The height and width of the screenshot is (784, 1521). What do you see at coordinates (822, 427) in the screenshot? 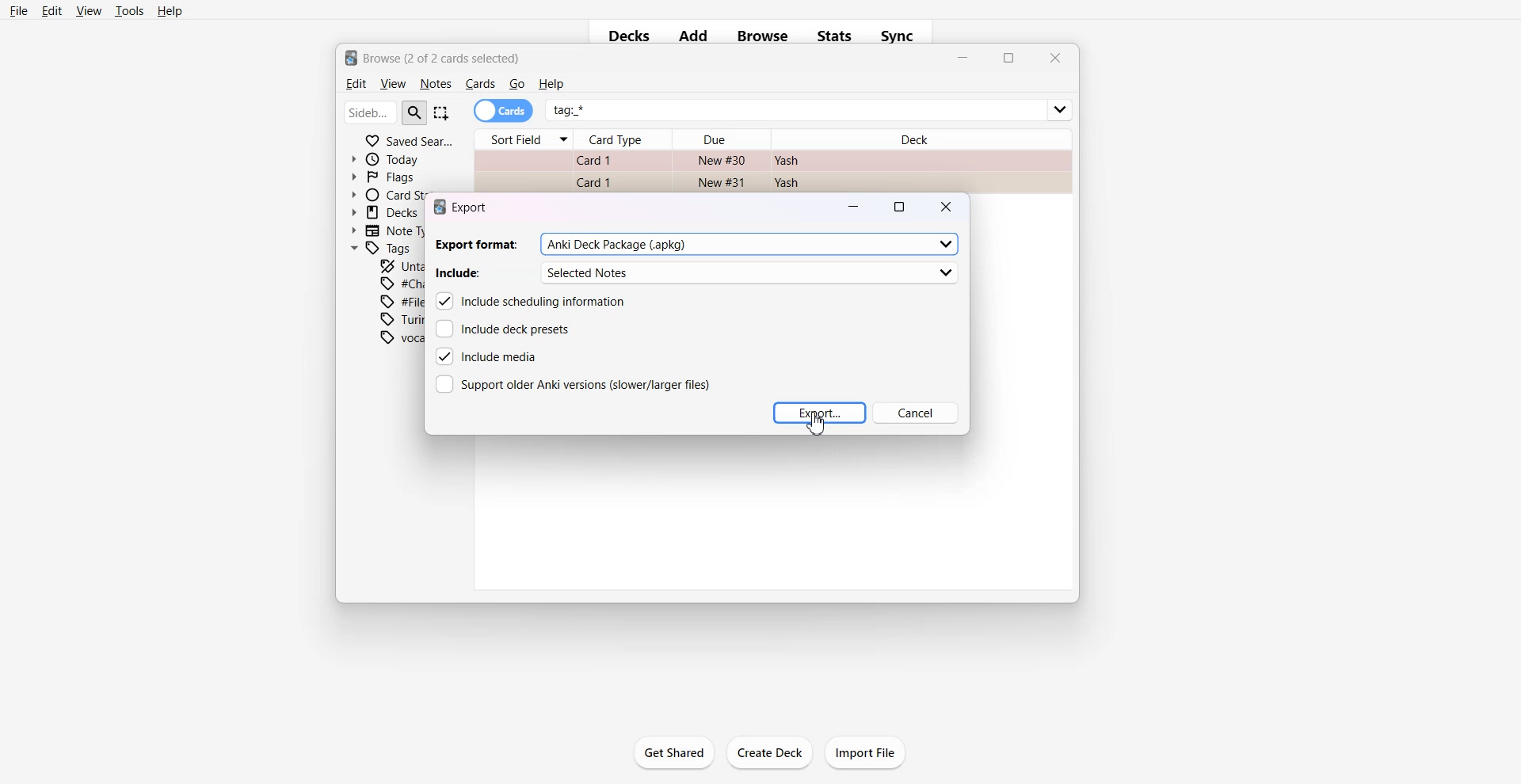
I see `cursor` at bounding box center [822, 427].